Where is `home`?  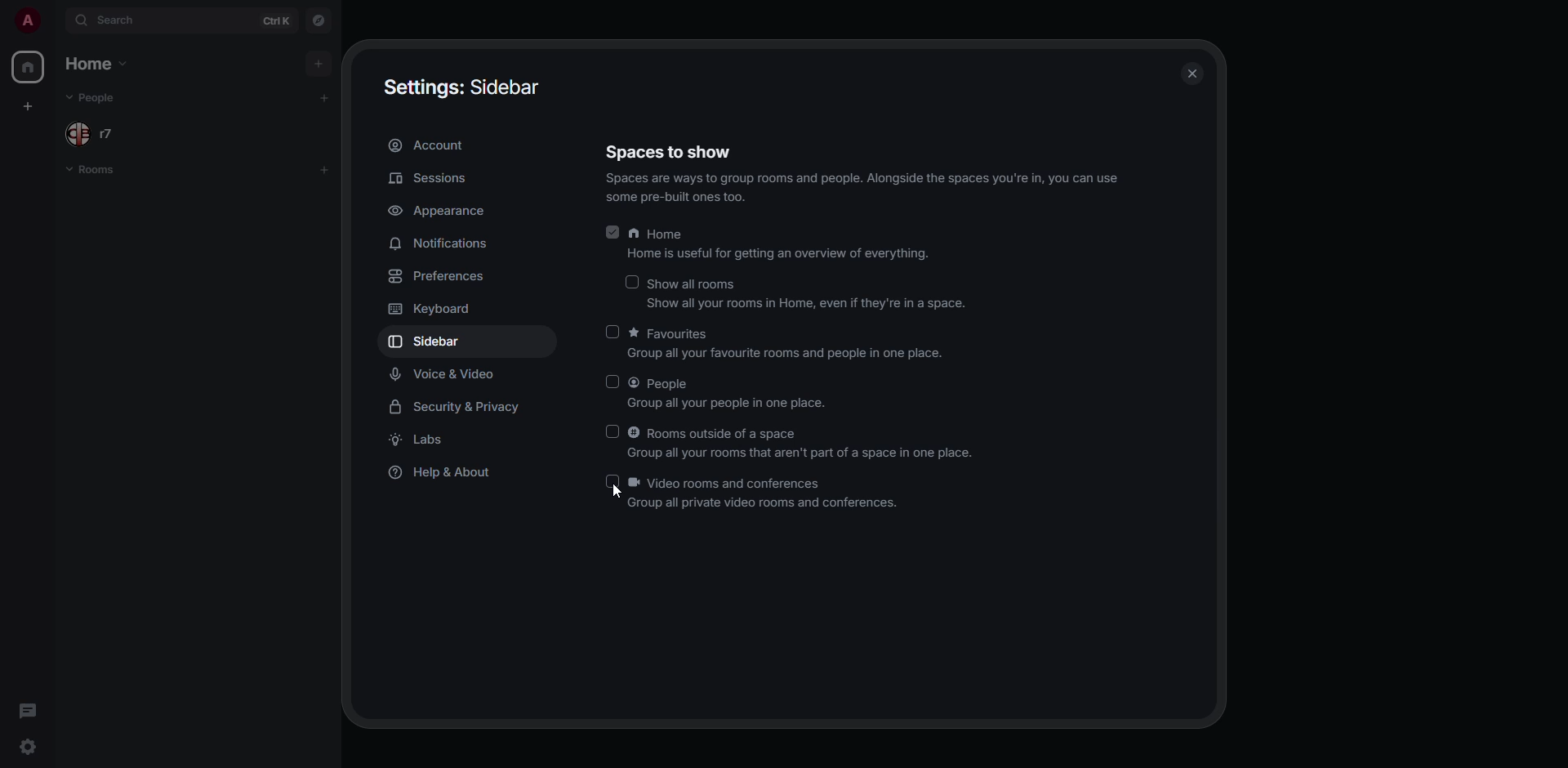
home is located at coordinates (95, 64).